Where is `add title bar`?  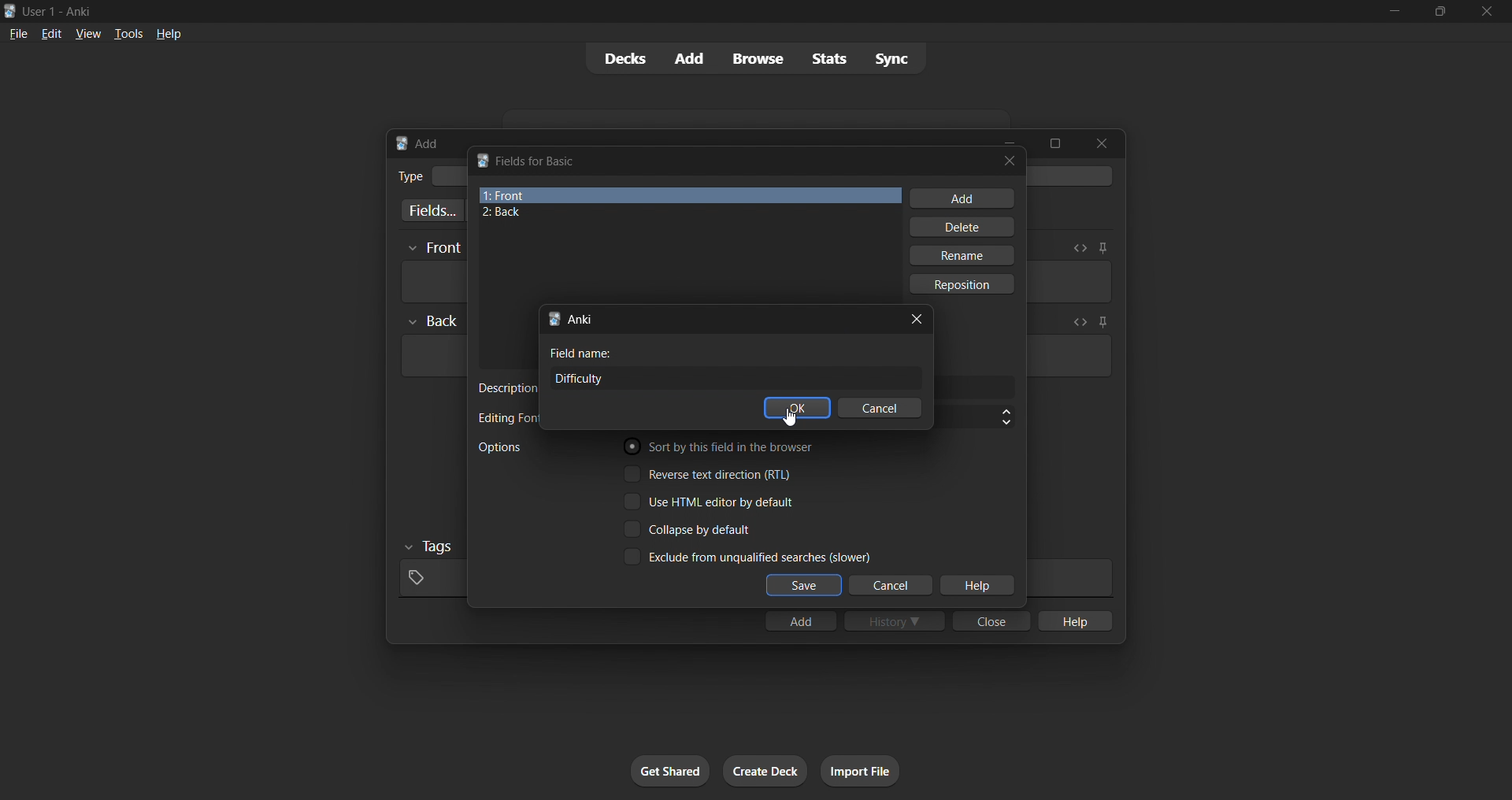
add title bar is located at coordinates (428, 143).